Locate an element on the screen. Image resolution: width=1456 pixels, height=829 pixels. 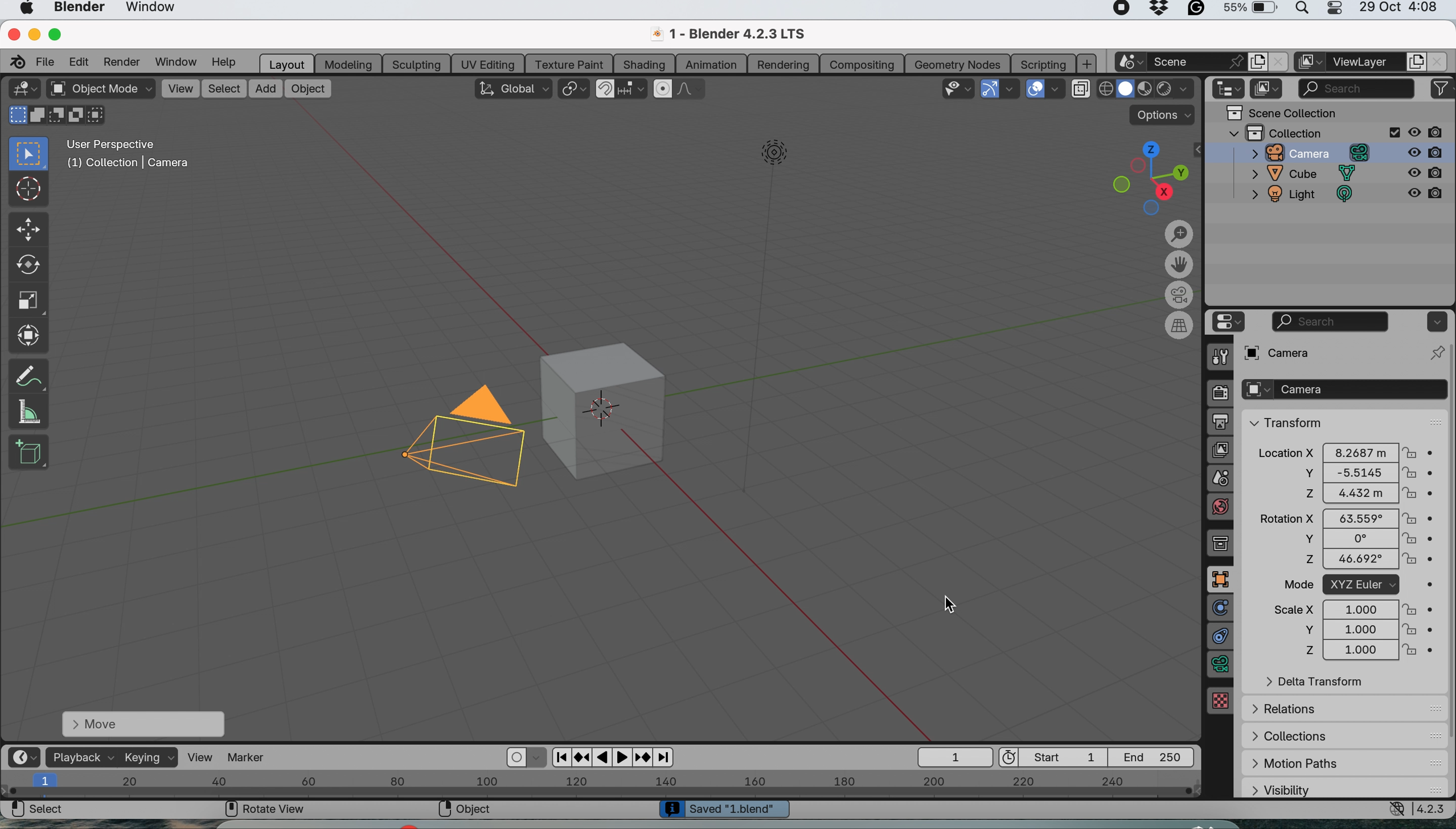
constraints is located at coordinates (1221, 638).